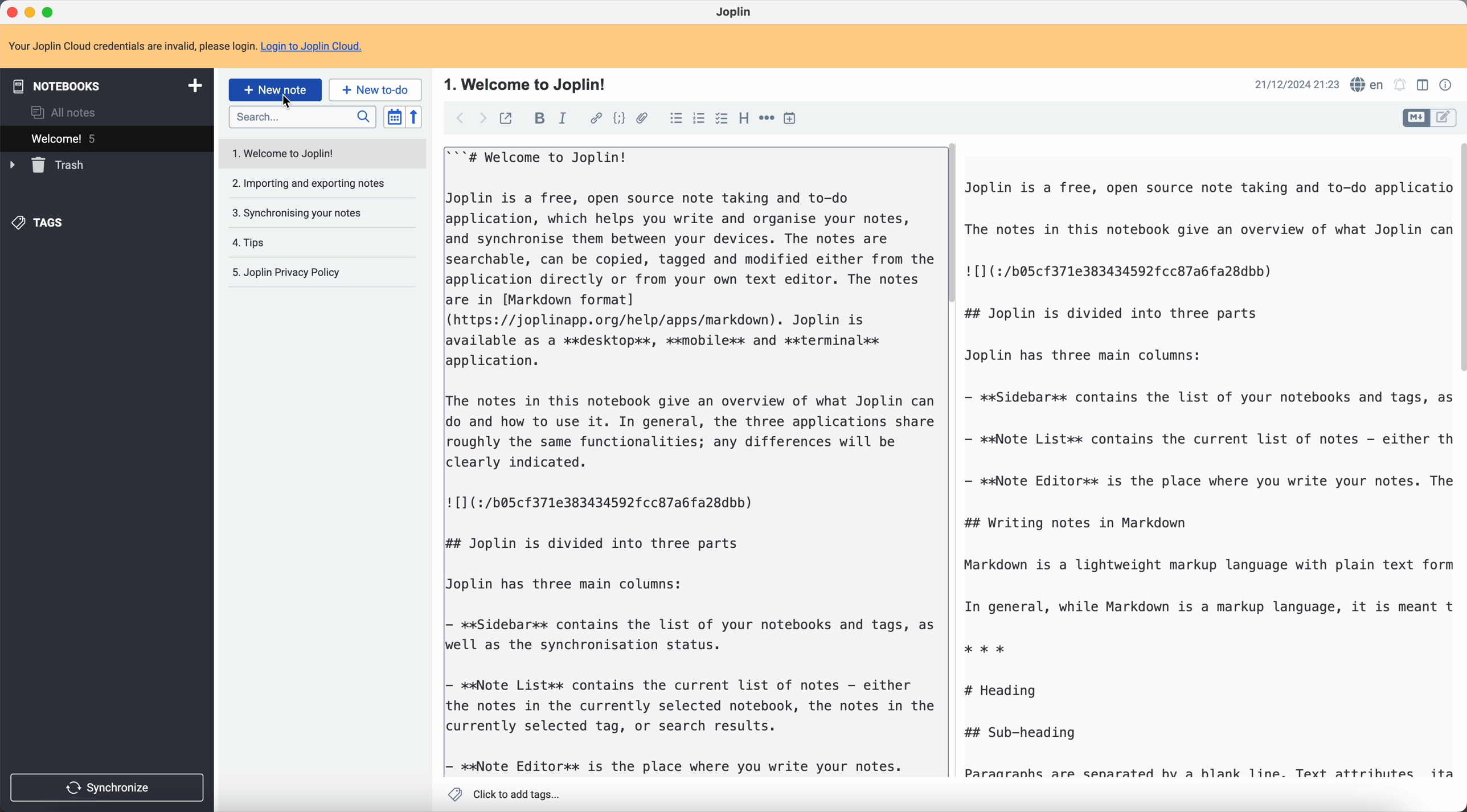  Describe the element at coordinates (48, 165) in the screenshot. I see `trash` at that location.